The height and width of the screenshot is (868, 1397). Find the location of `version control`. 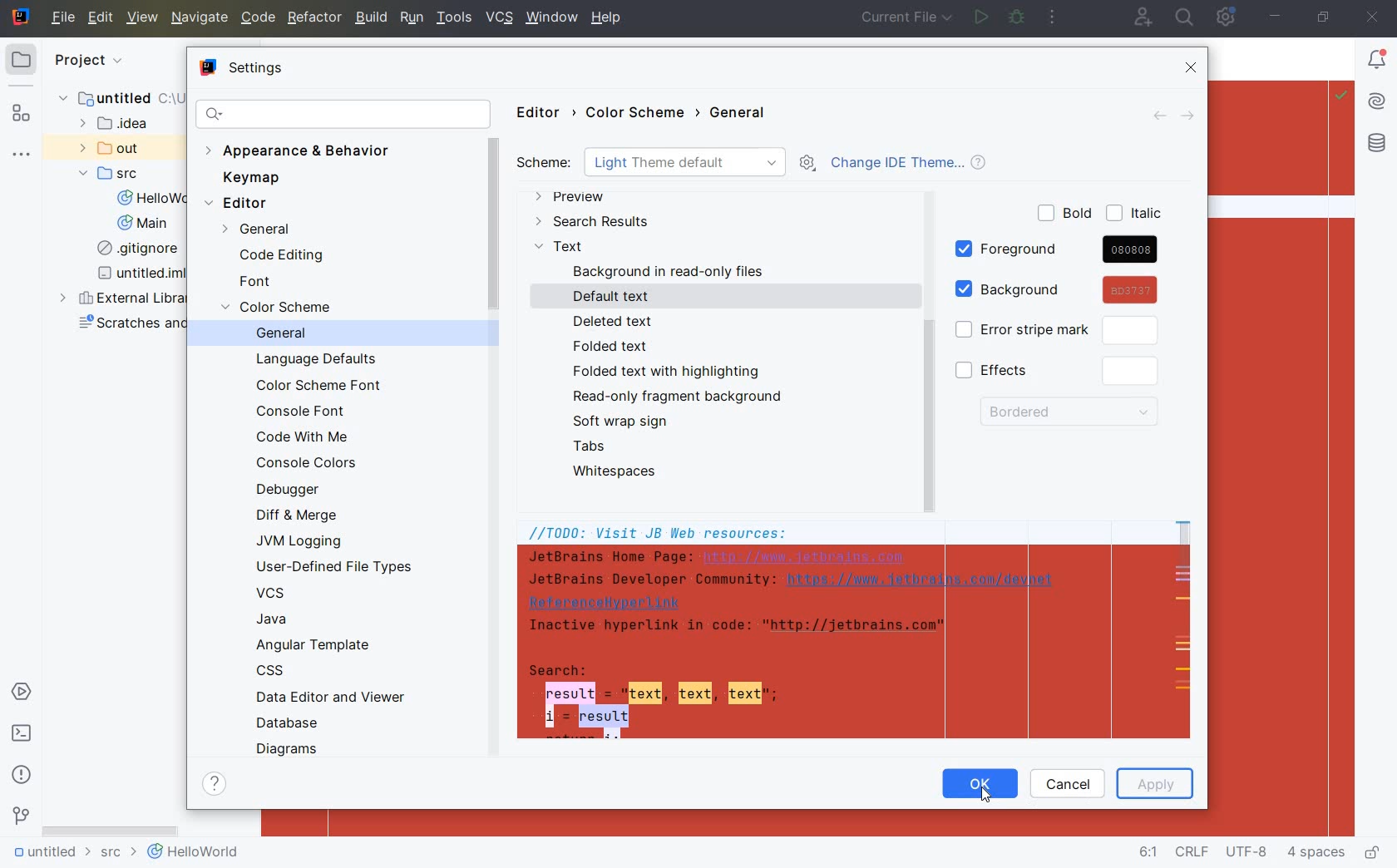

version control is located at coordinates (20, 818).